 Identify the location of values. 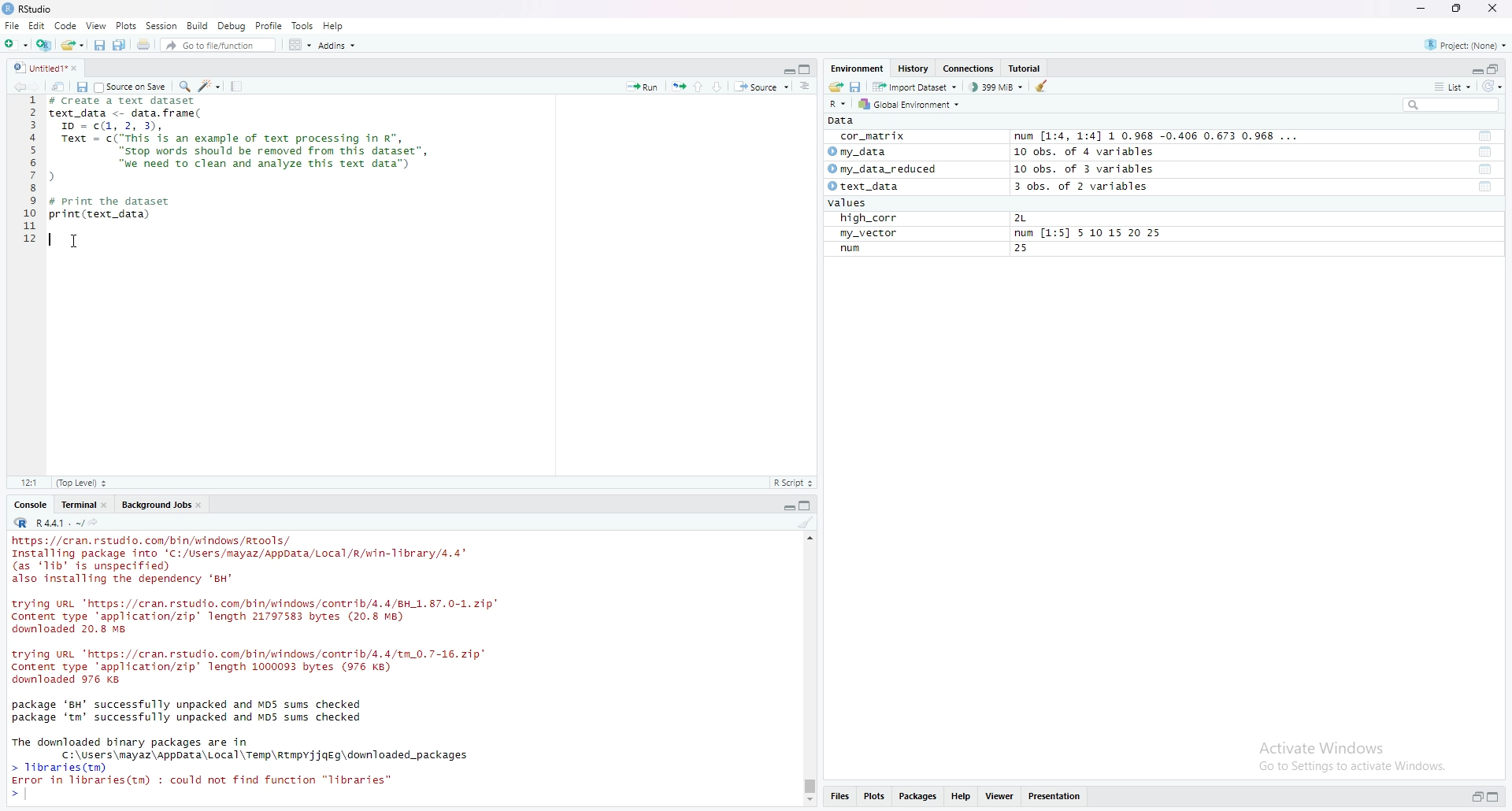
(843, 204).